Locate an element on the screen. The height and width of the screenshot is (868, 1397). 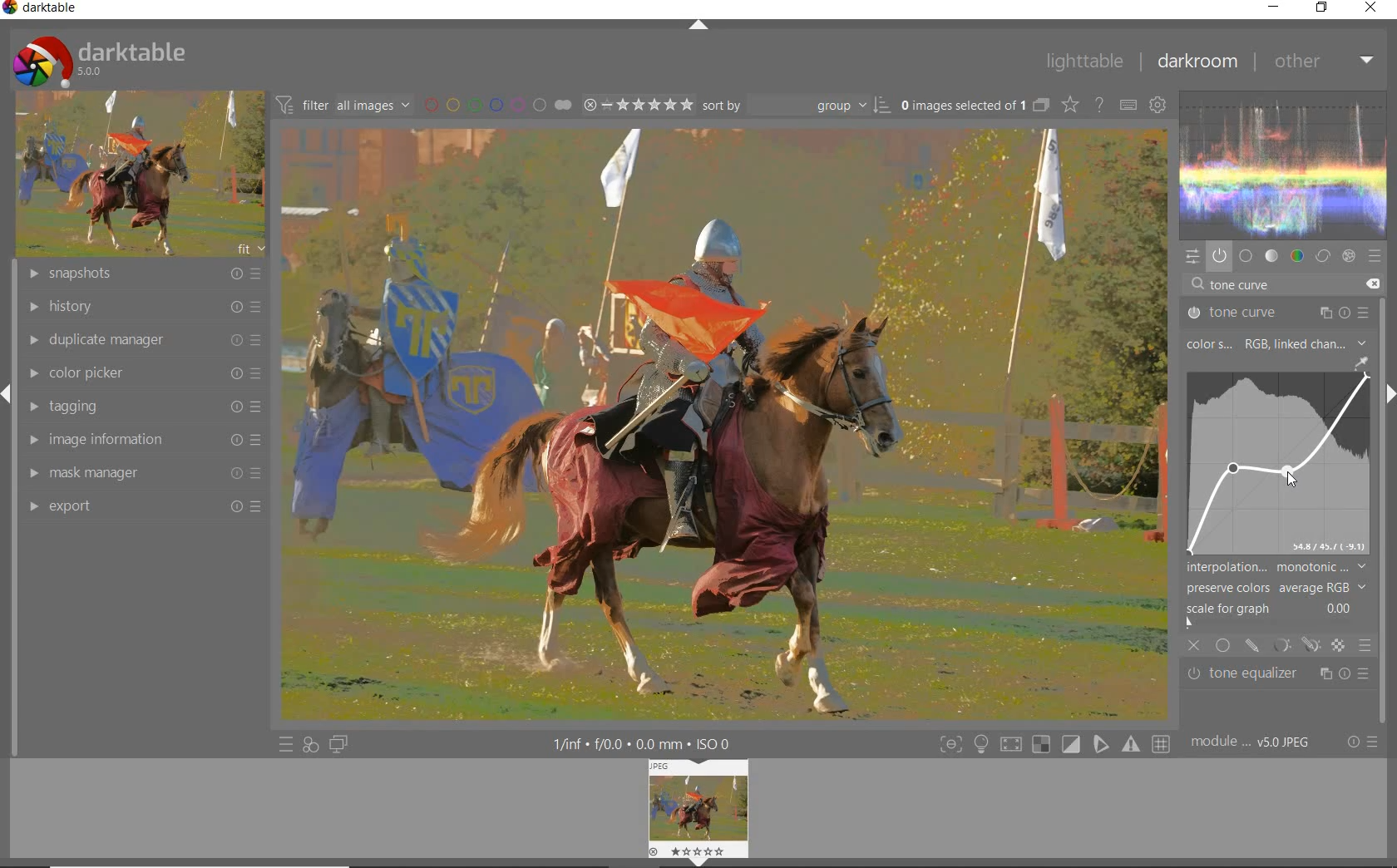
color space is located at coordinates (1275, 345).